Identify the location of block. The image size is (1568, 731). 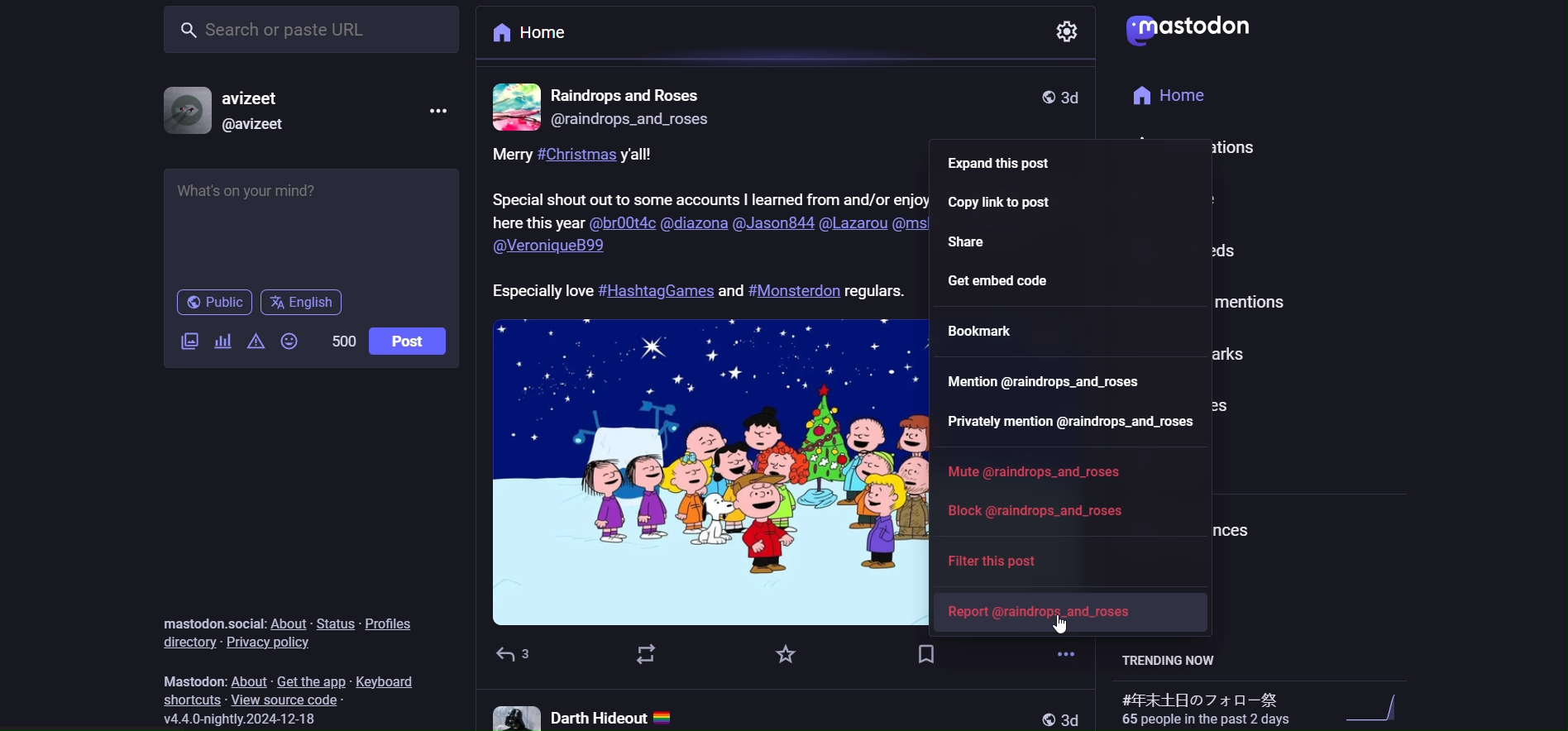
(1049, 510).